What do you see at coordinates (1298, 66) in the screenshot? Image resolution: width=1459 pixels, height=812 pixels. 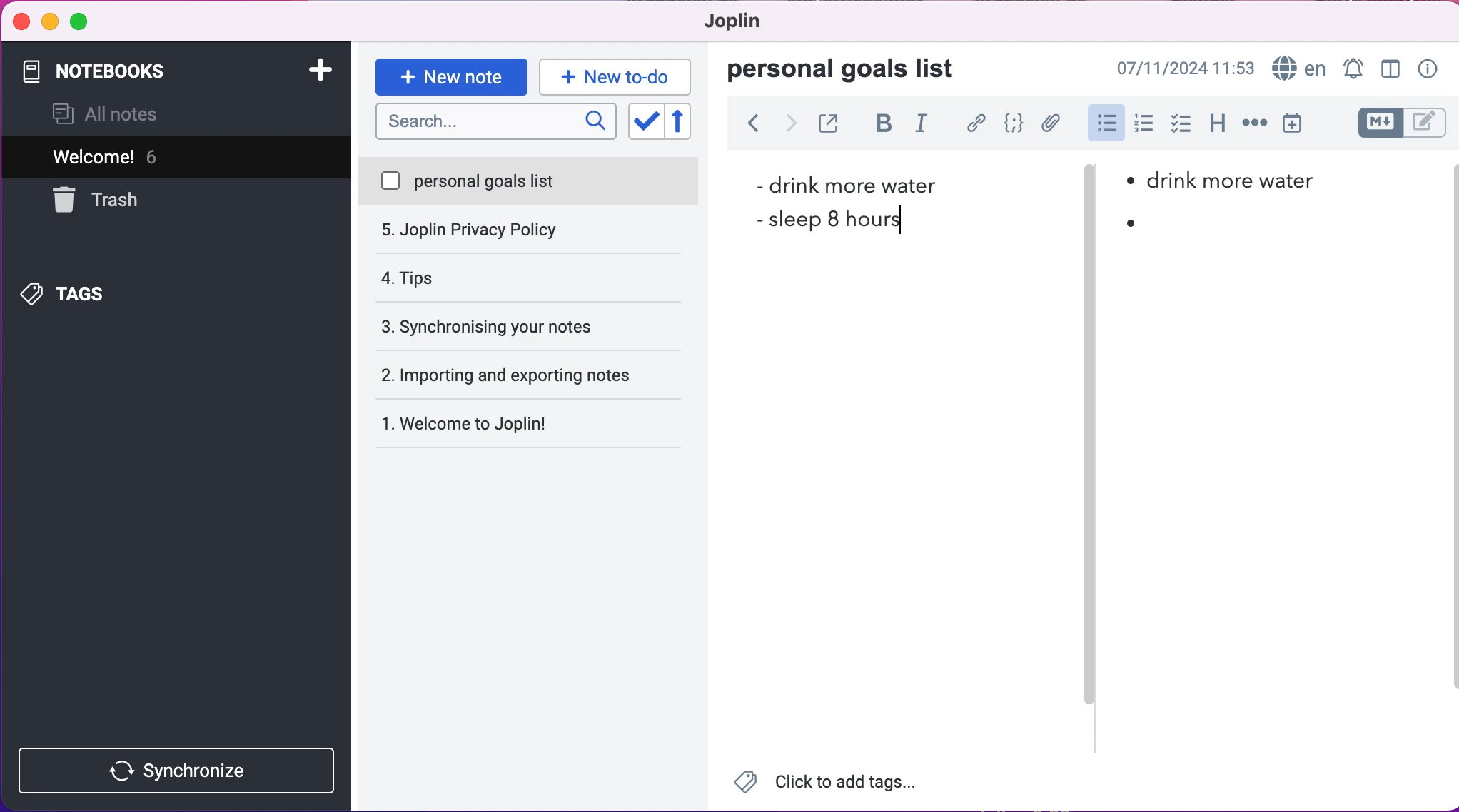 I see `language` at bounding box center [1298, 66].